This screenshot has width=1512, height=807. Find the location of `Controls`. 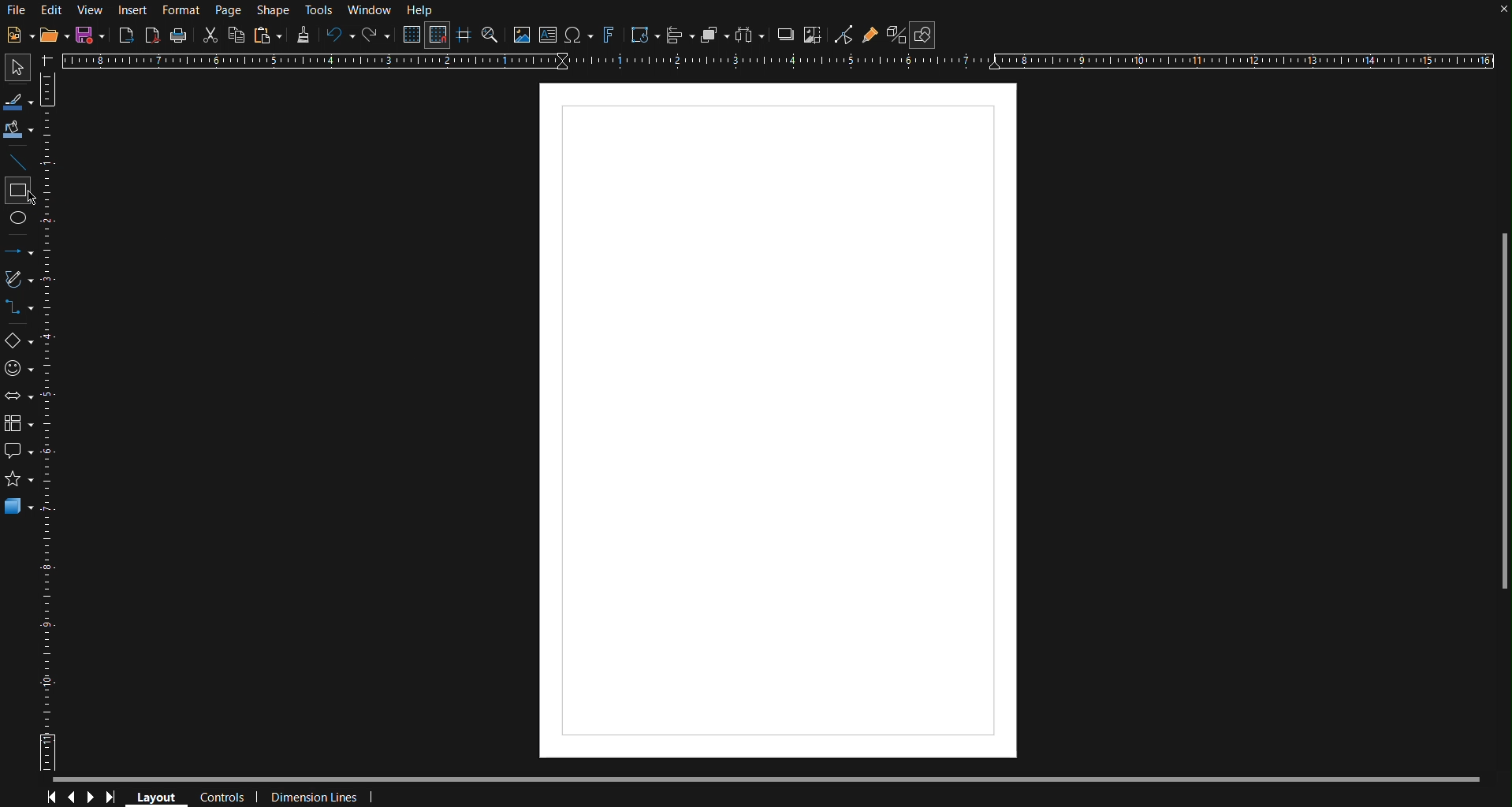

Controls is located at coordinates (225, 798).